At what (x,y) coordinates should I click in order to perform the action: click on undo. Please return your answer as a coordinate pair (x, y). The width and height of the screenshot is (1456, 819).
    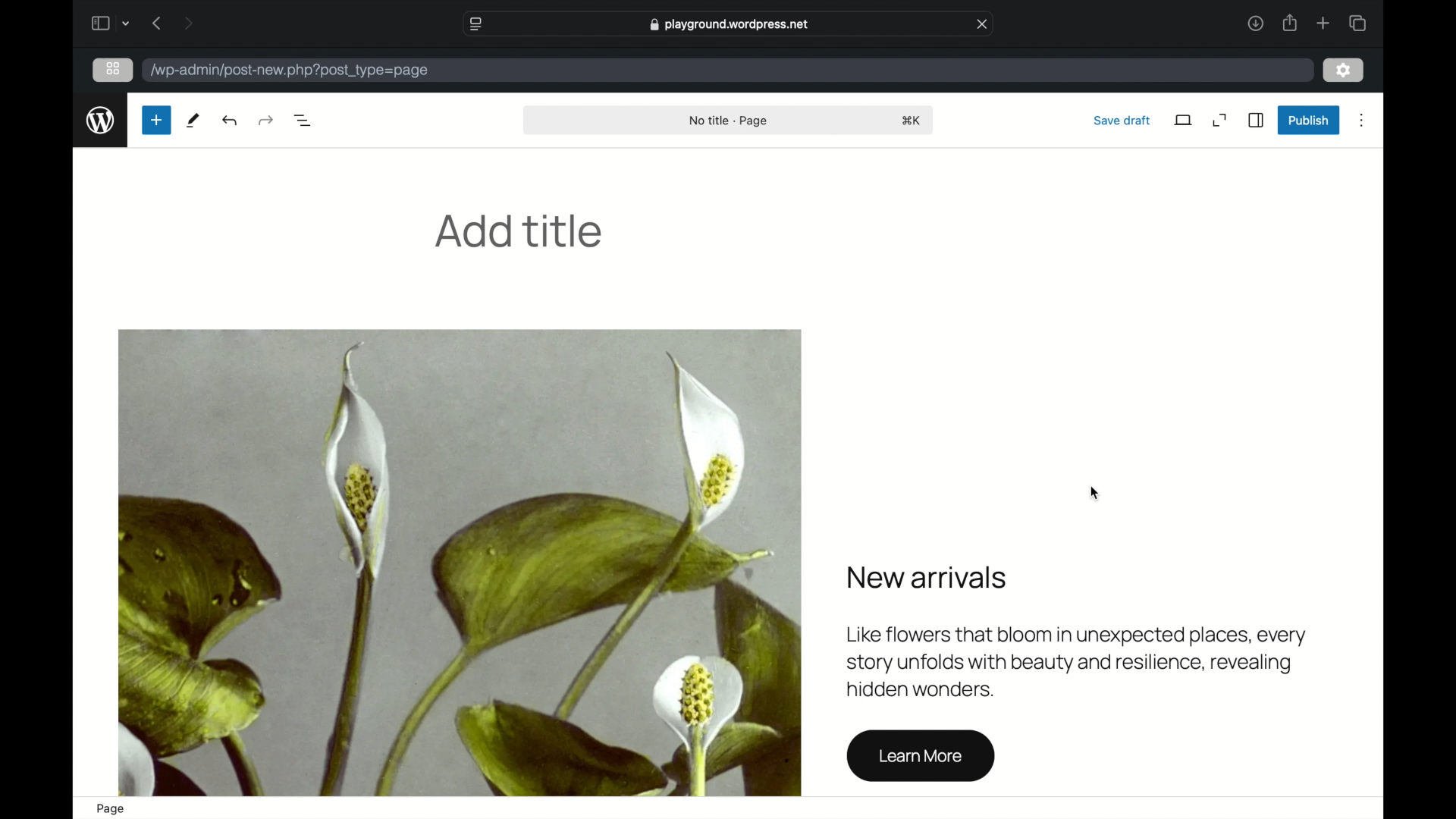
    Looking at the image, I should click on (265, 120).